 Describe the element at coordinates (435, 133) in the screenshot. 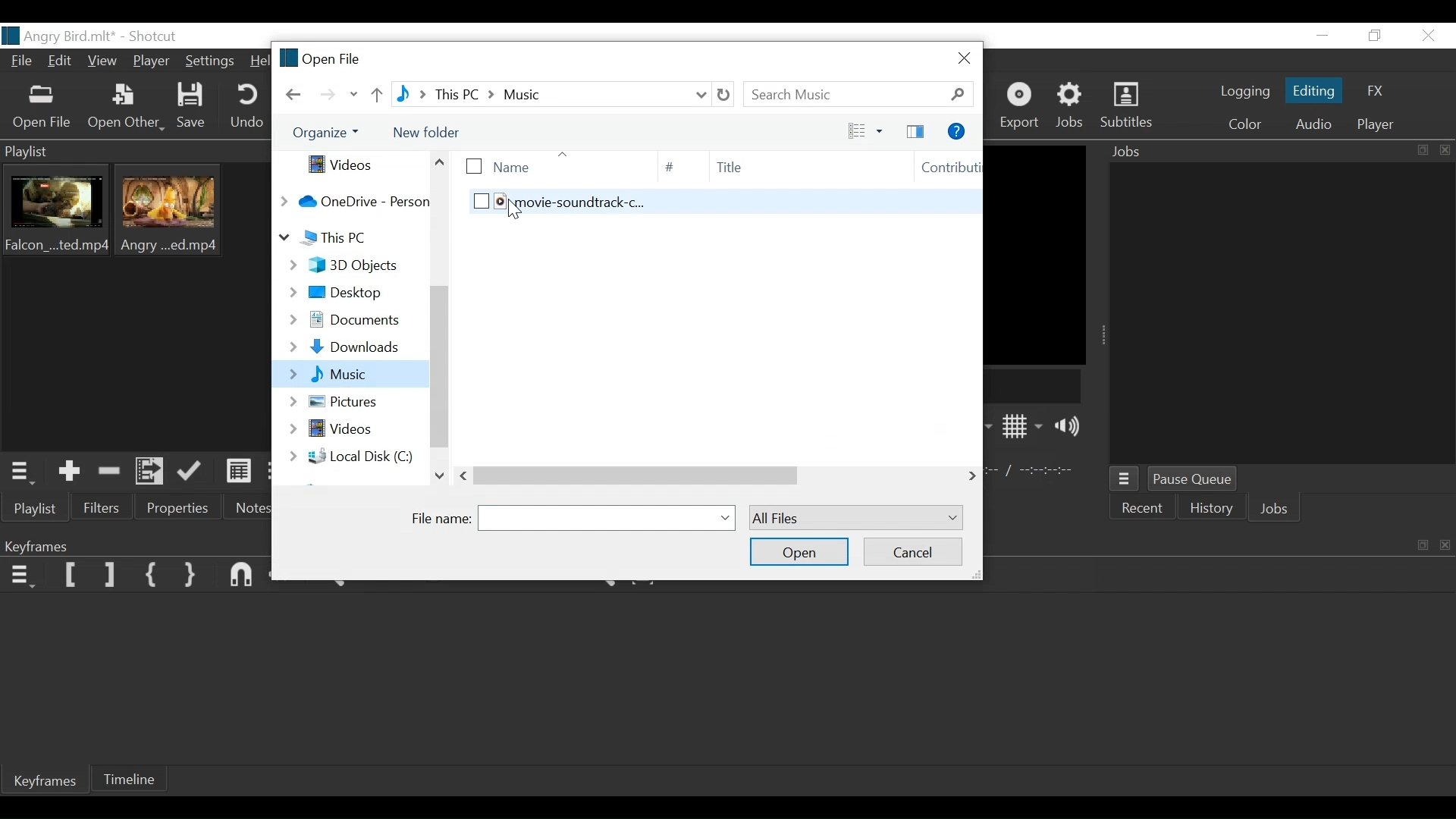

I see `New Folder` at that location.